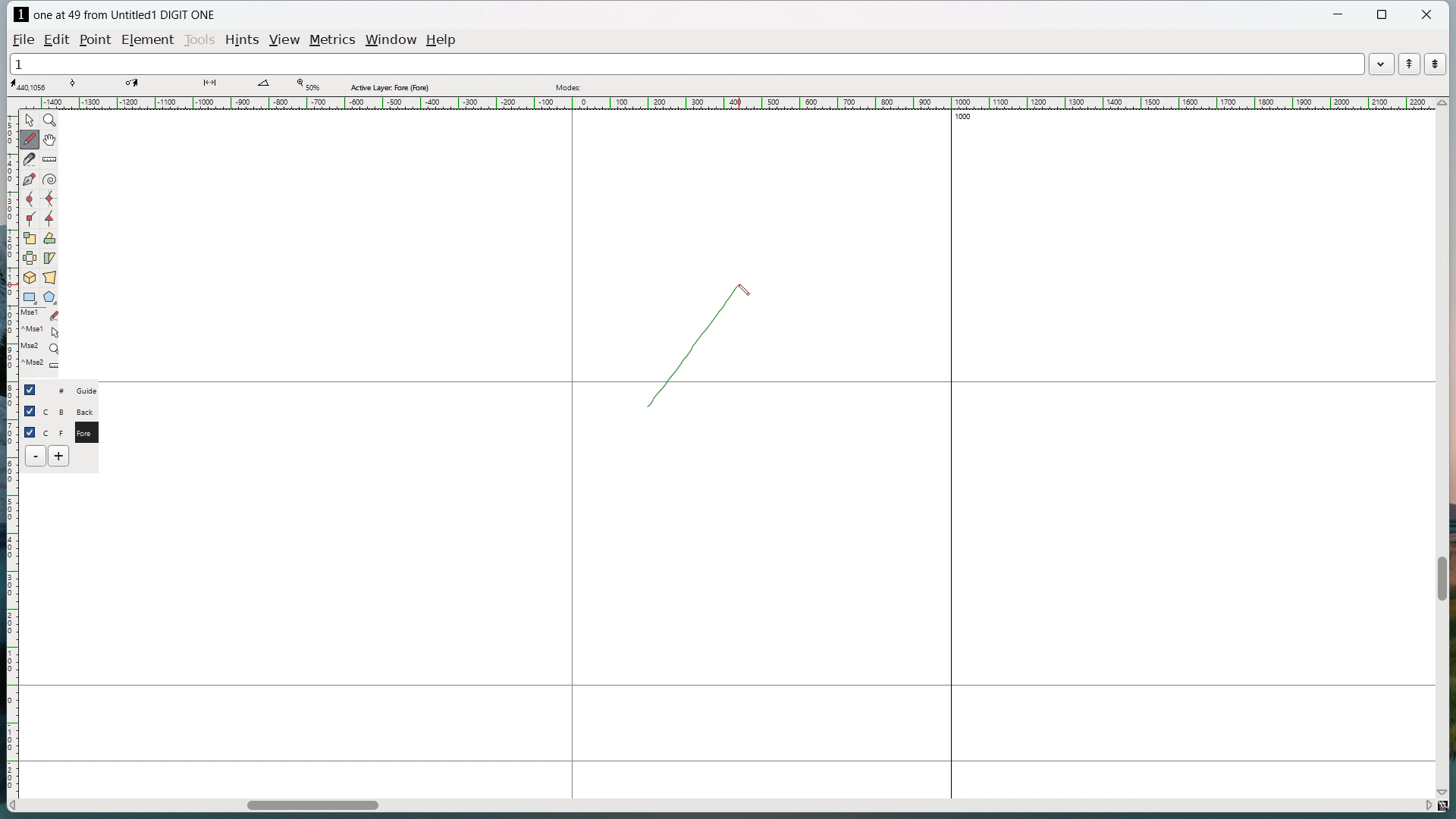  I want to click on close, so click(1426, 14).